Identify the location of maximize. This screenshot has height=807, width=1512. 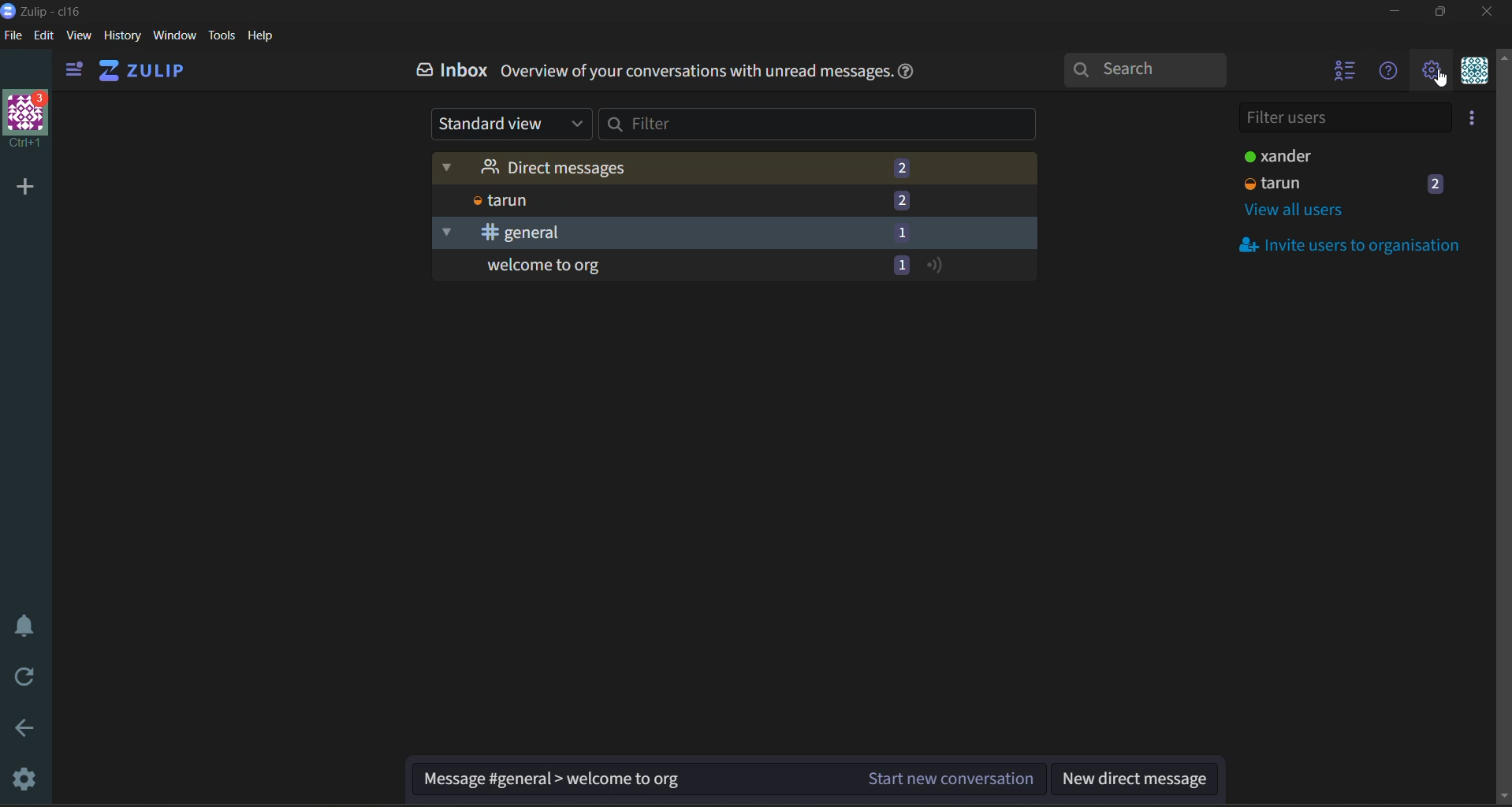
(1437, 13).